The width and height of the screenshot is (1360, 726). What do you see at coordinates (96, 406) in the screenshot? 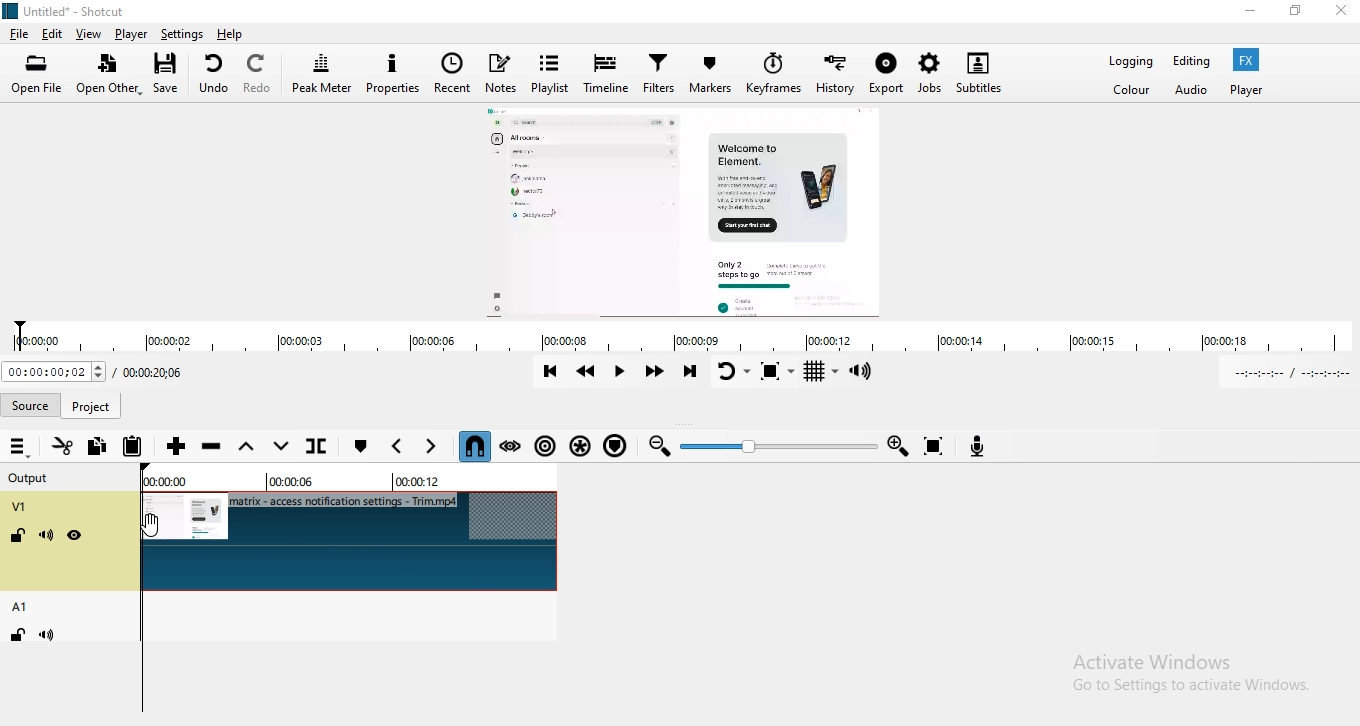
I see `project` at bounding box center [96, 406].